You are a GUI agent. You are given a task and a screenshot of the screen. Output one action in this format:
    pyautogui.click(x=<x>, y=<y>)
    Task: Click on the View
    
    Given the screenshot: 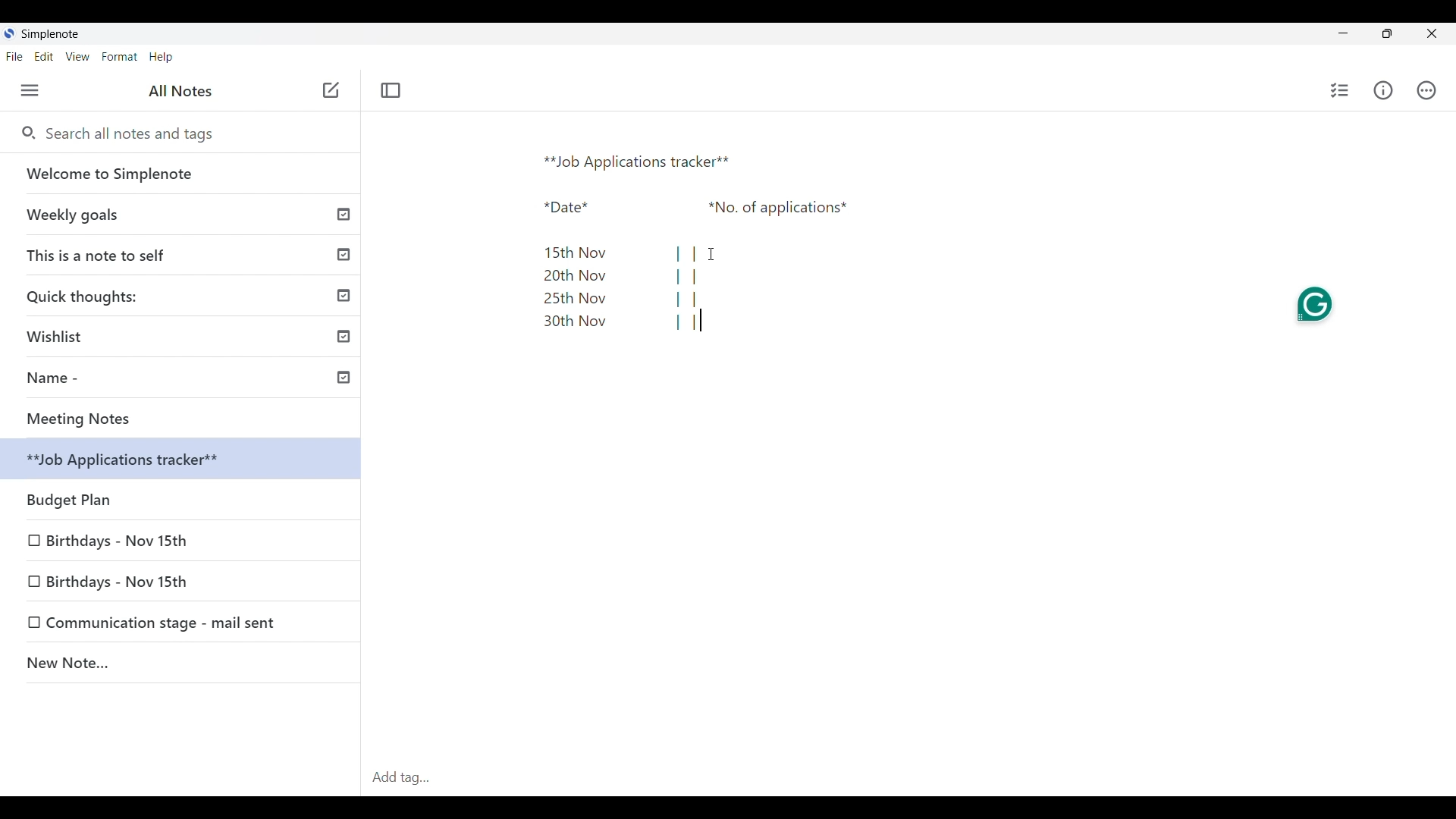 What is the action you would take?
    pyautogui.click(x=77, y=57)
    